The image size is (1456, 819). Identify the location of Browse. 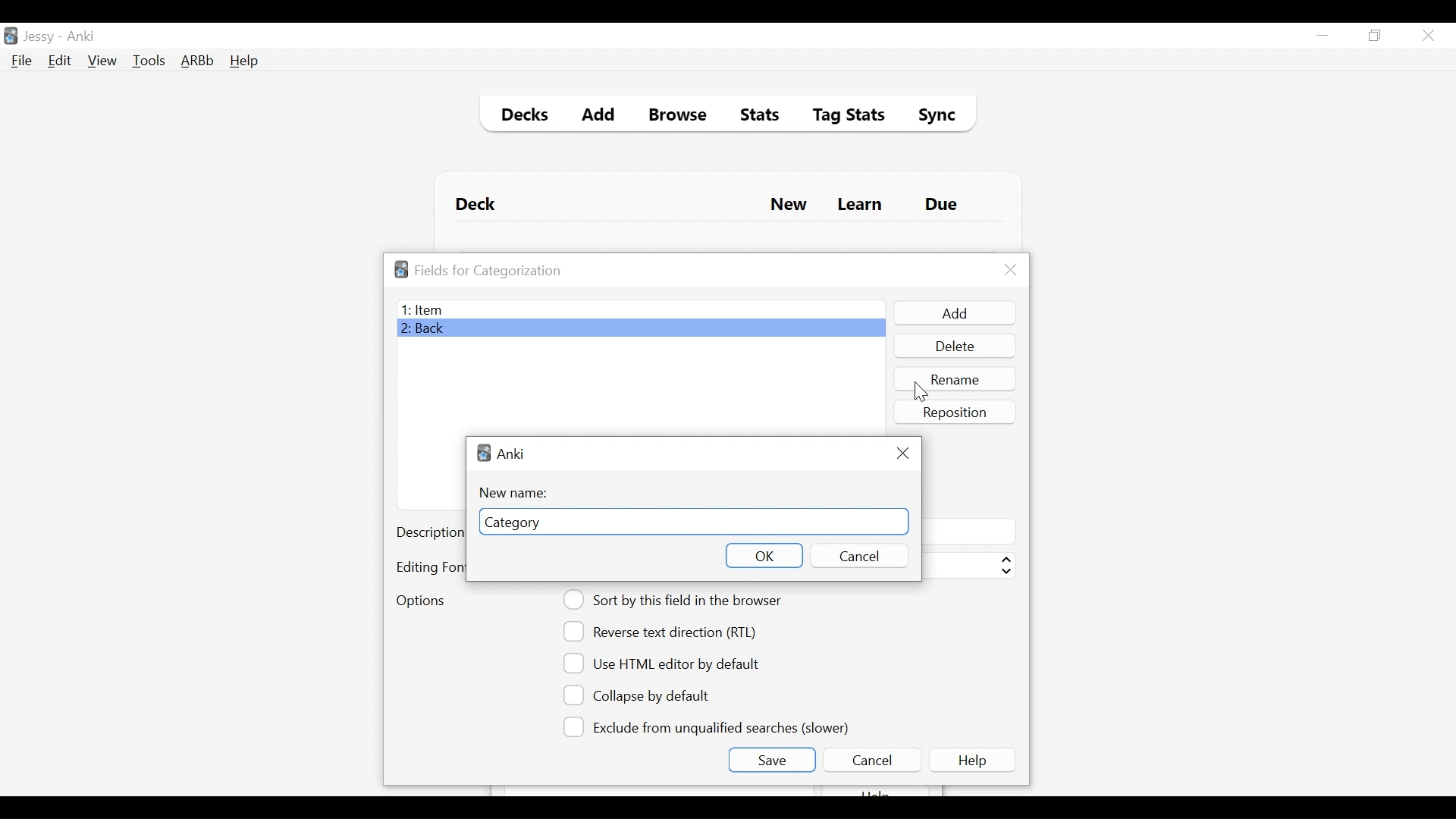
(680, 117).